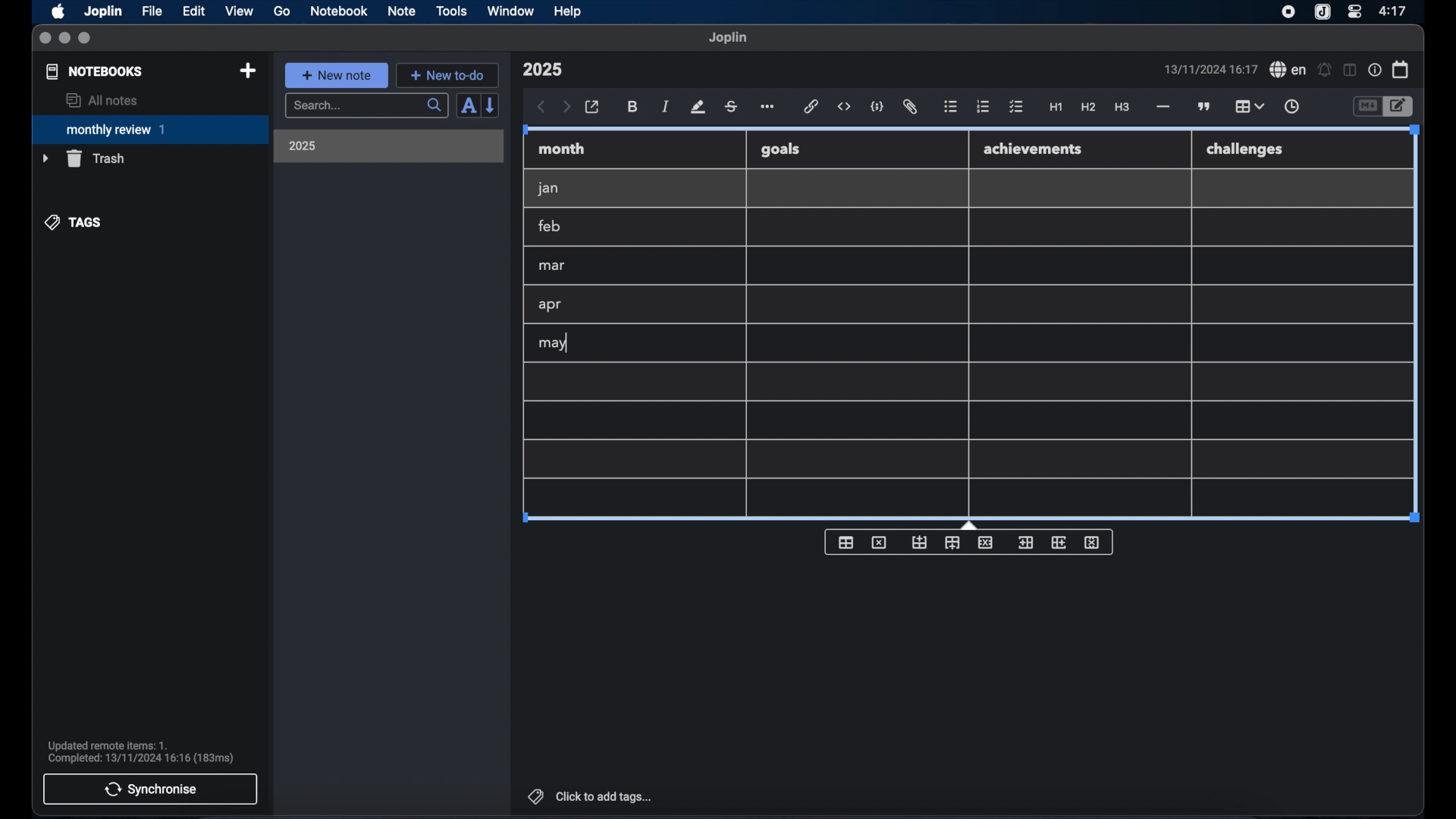 The width and height of the screenshot is (1456, 819). Describe the element at coordinates (150, 789) in the screenshot. I see `synchronise` at that location.